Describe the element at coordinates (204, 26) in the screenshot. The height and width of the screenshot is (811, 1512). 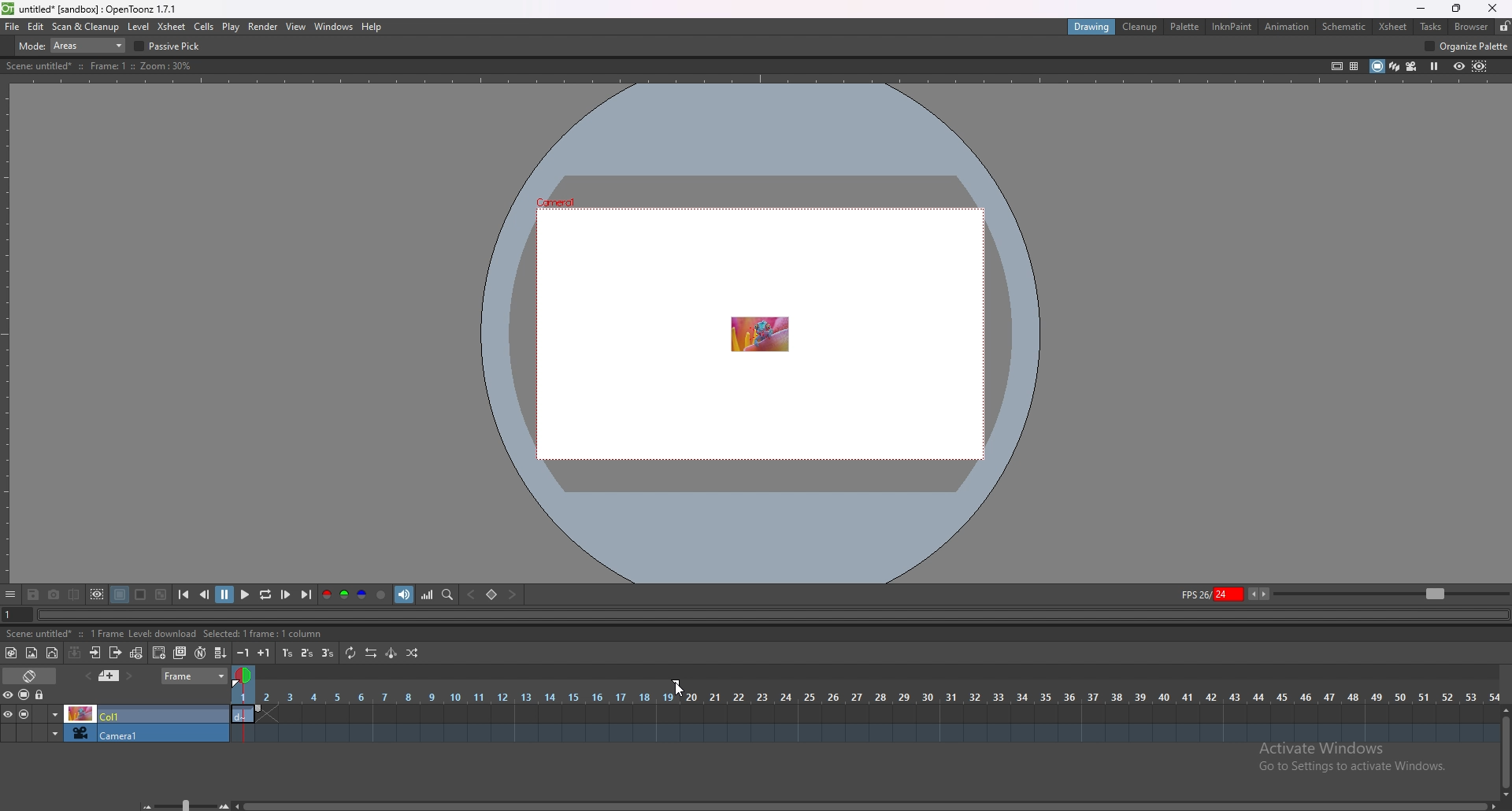
I see `cells` at that location.